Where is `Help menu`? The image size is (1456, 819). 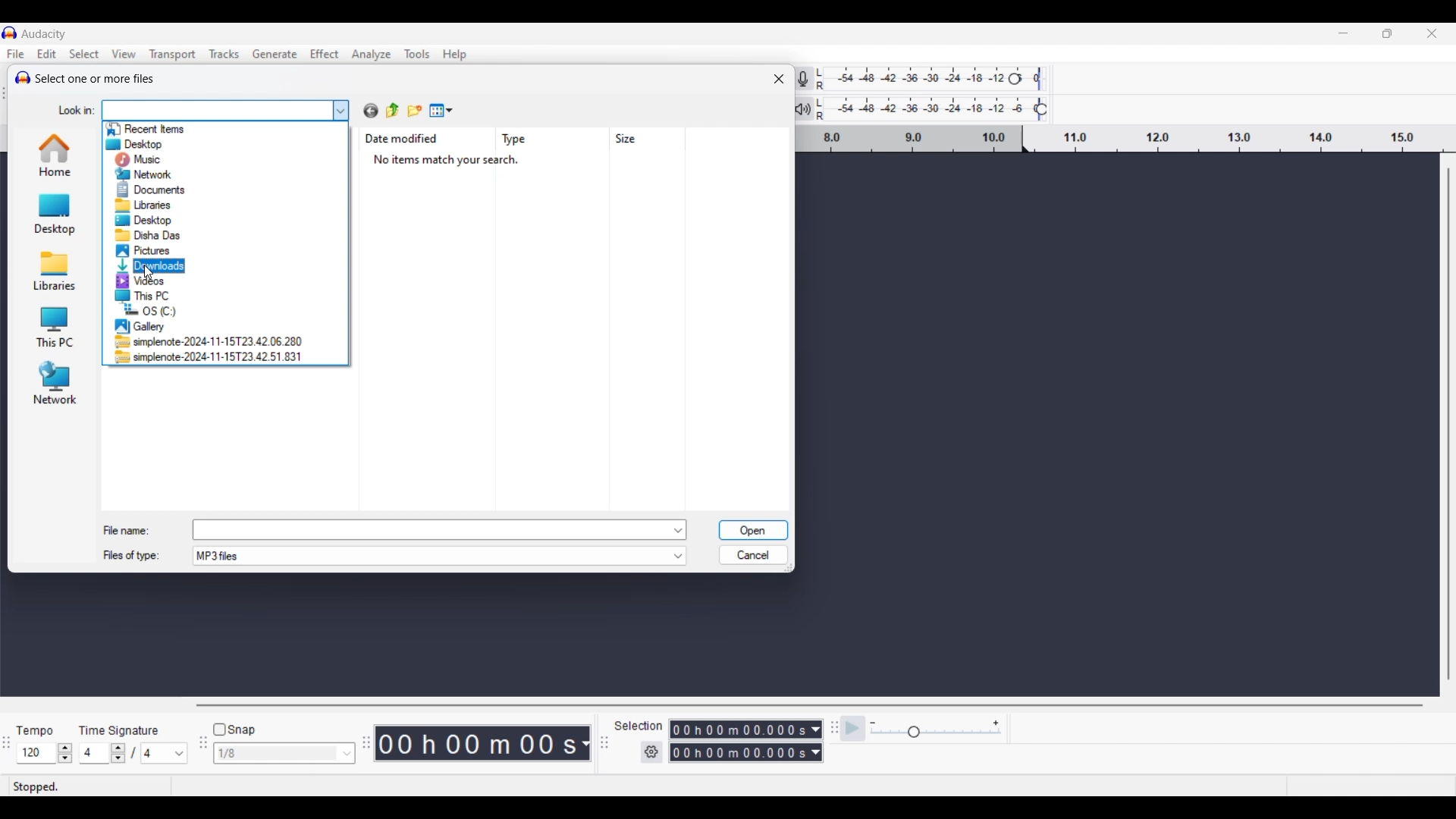
Help menu is located at coordinates (455, 55).